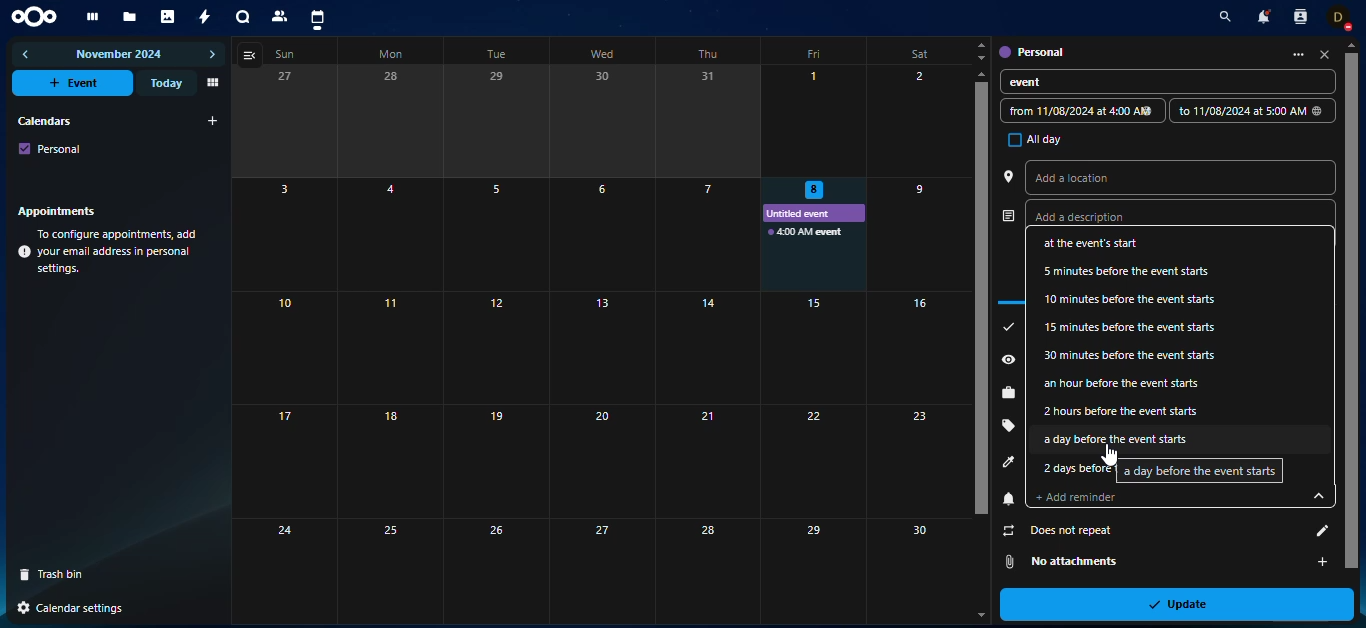  I want to click on drop down, so click(1310, 493).